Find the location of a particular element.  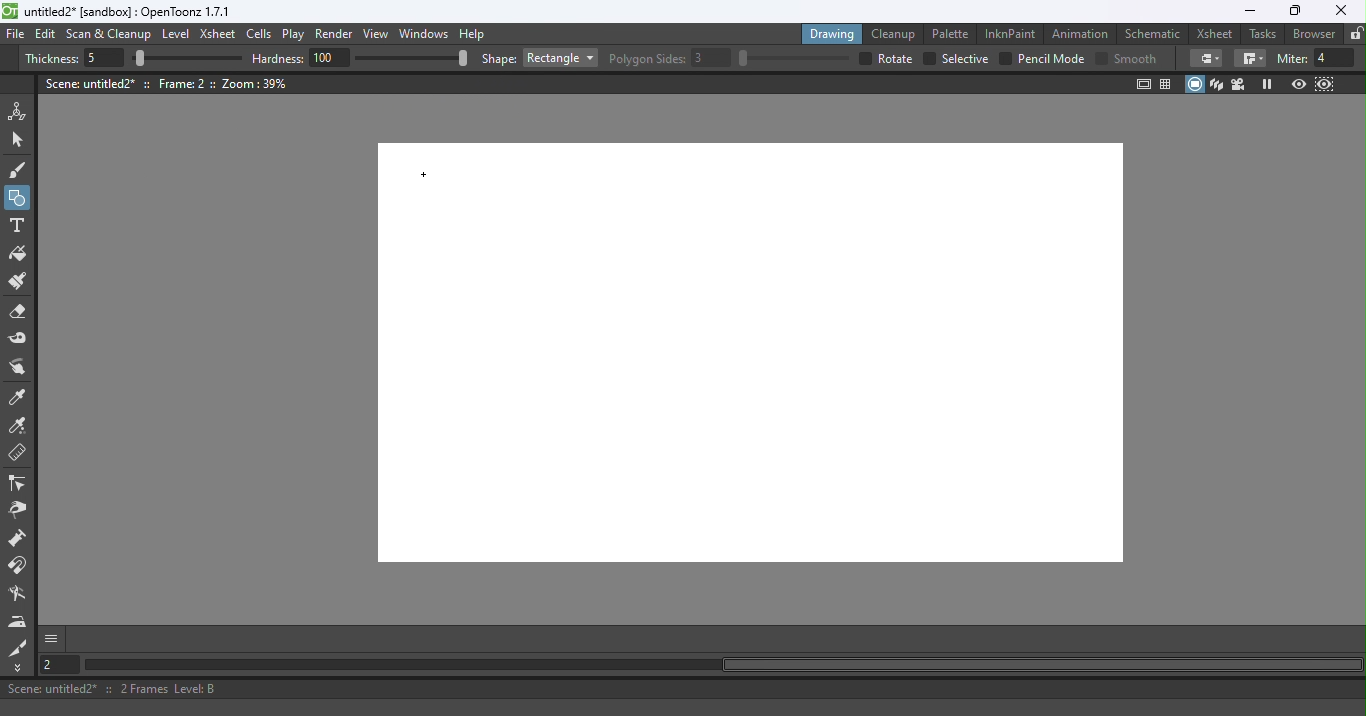

Xsheet is located at coordinates (1217, 33).